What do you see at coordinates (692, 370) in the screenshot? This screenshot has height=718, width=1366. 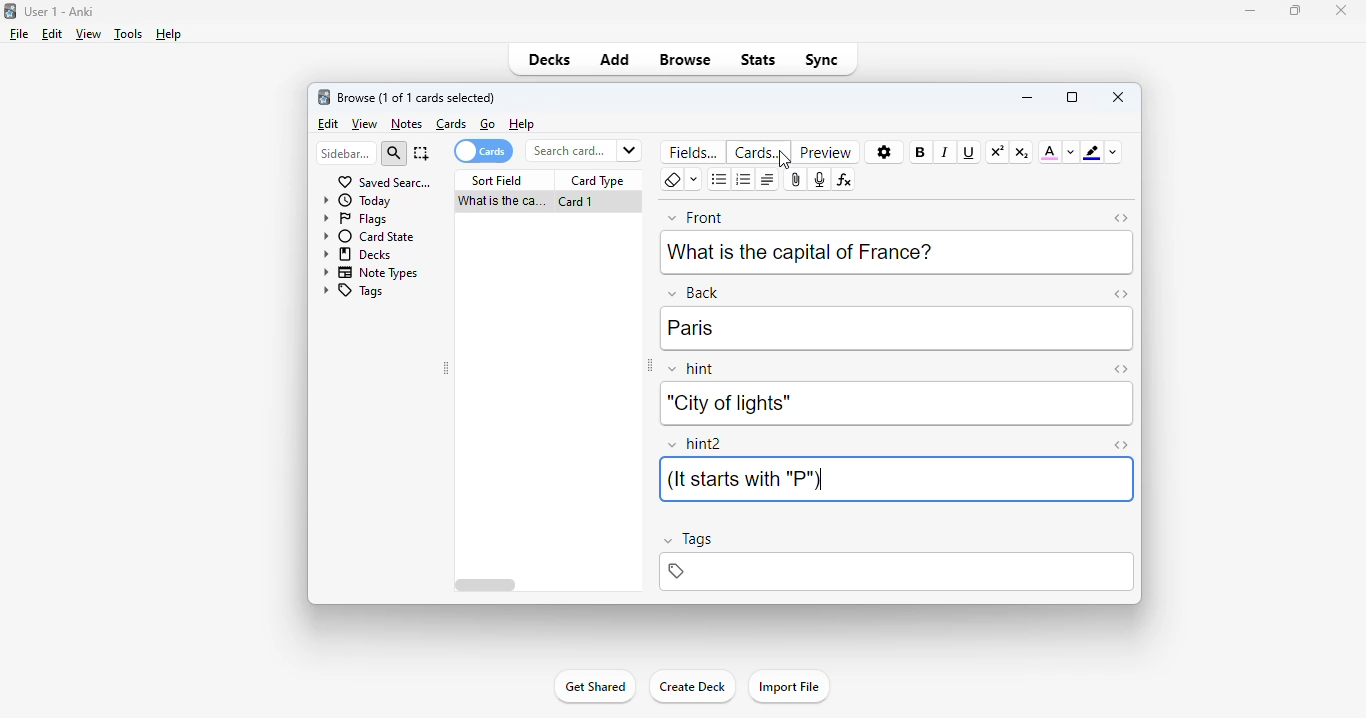 I see `hint` at bounding box center [692, 370].